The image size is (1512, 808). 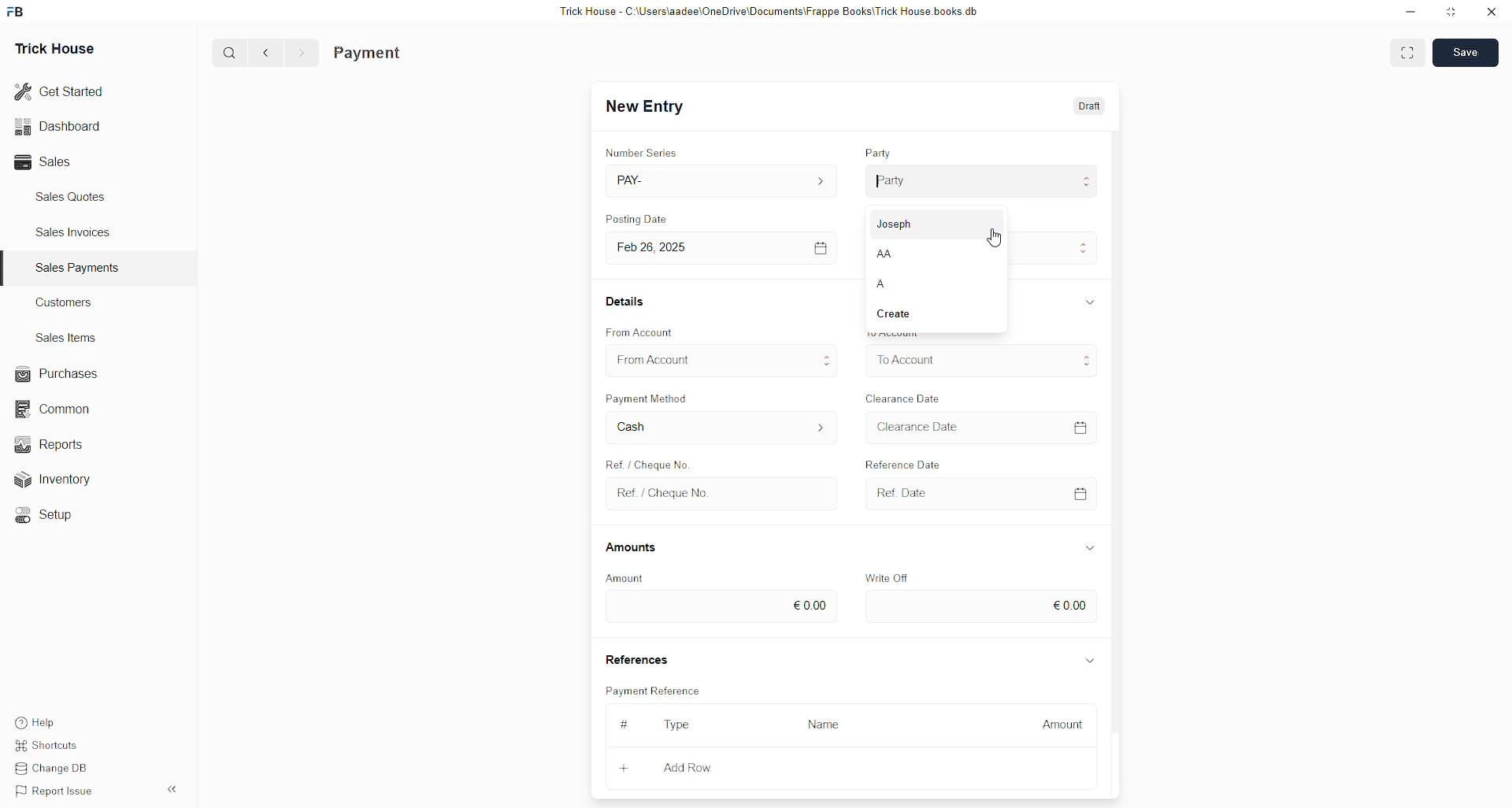 What do you see at coordinates (172, 789) in the screenshot?
I see `Hide sidebar` at bounding box center [172, 789].